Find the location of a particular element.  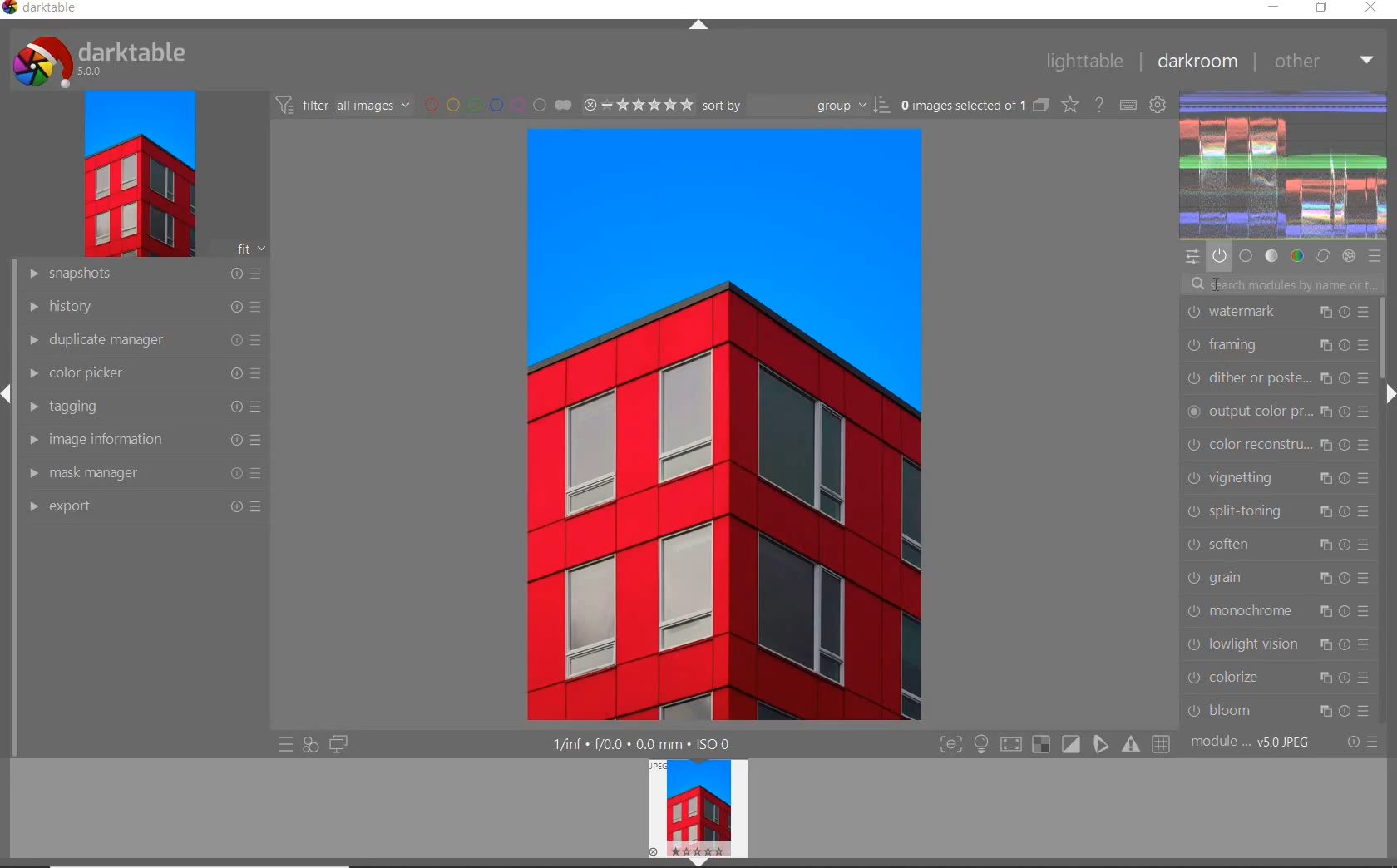

bloom is located at coordinates (1277, 708).